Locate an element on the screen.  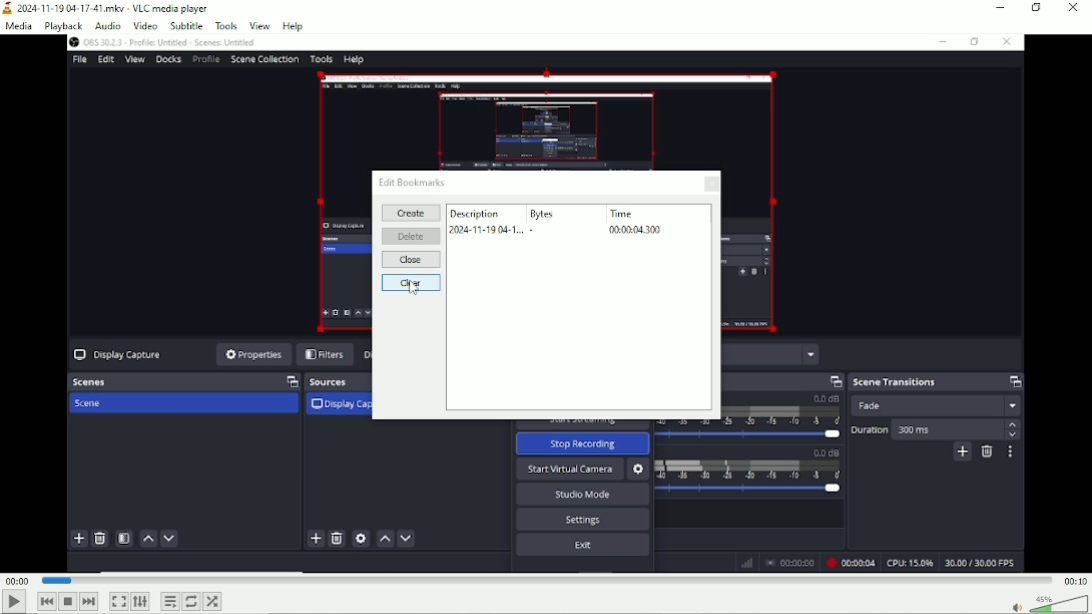
Audio is located at coordinates (106, 25).